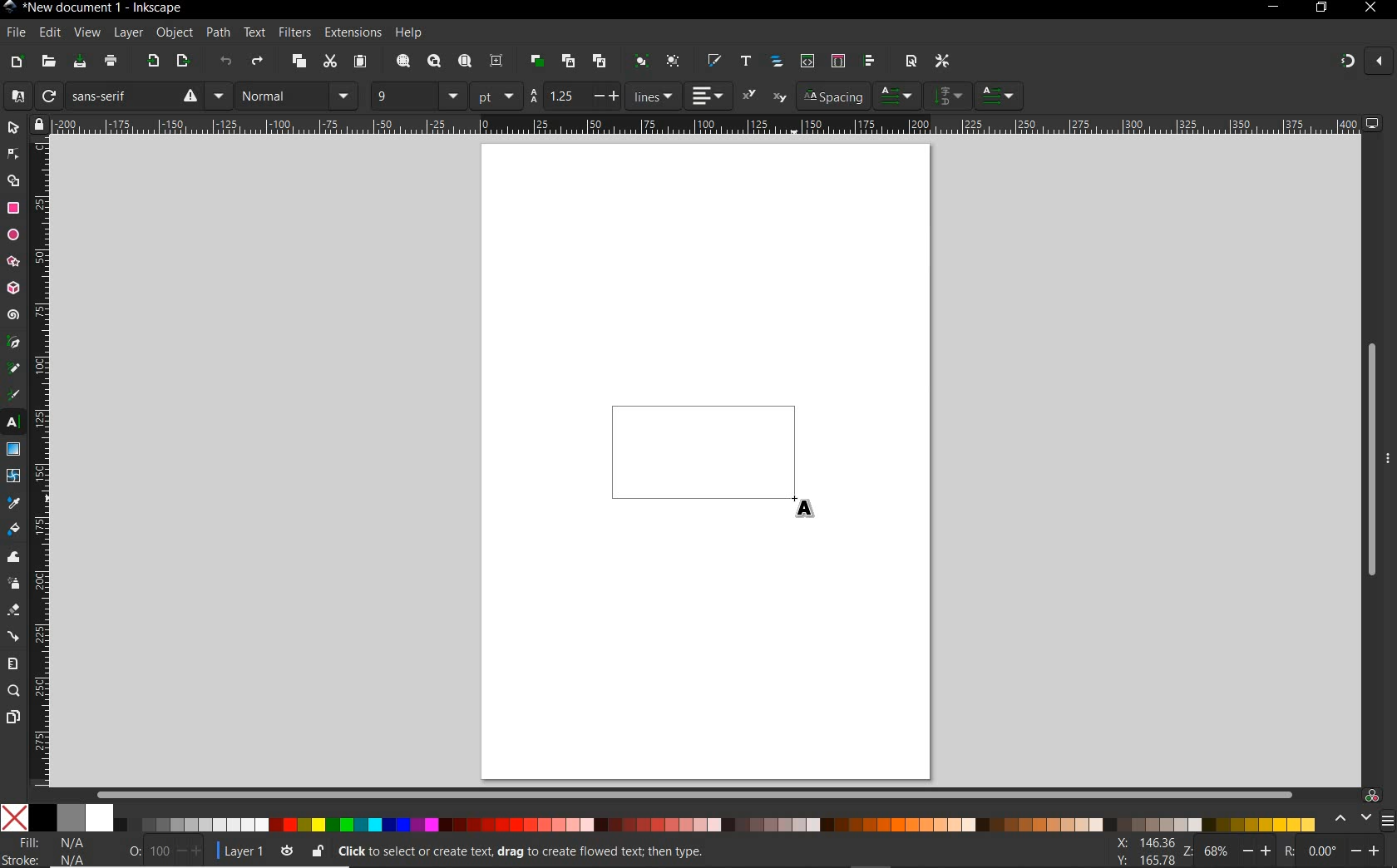 The height and width of the screenshot is (868, 1397). I want to click on subscript, so click(780, 98).